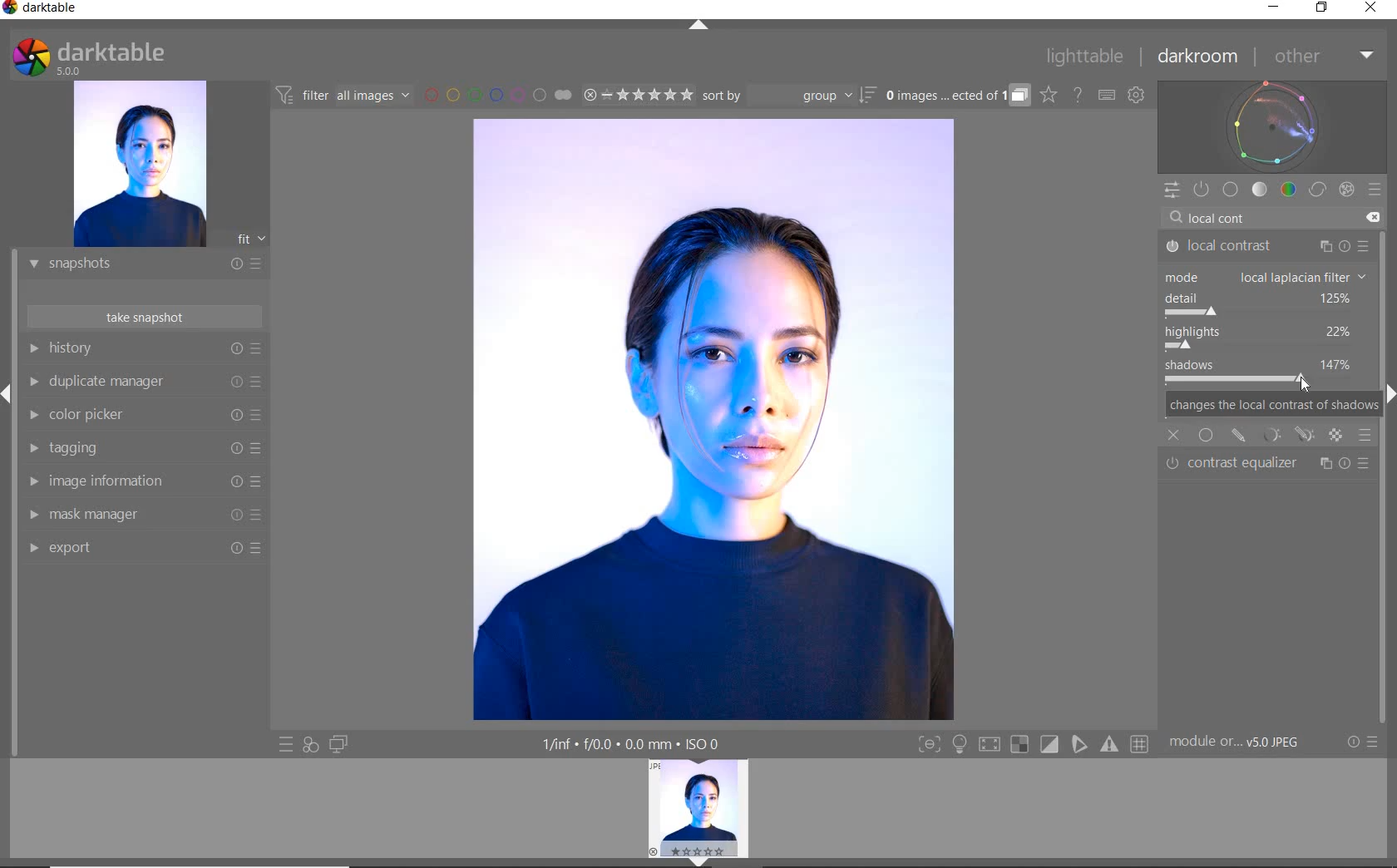 The height and width of the screenshot is (868, 1397). I want to click on EFFECT, so click(1346, 189).